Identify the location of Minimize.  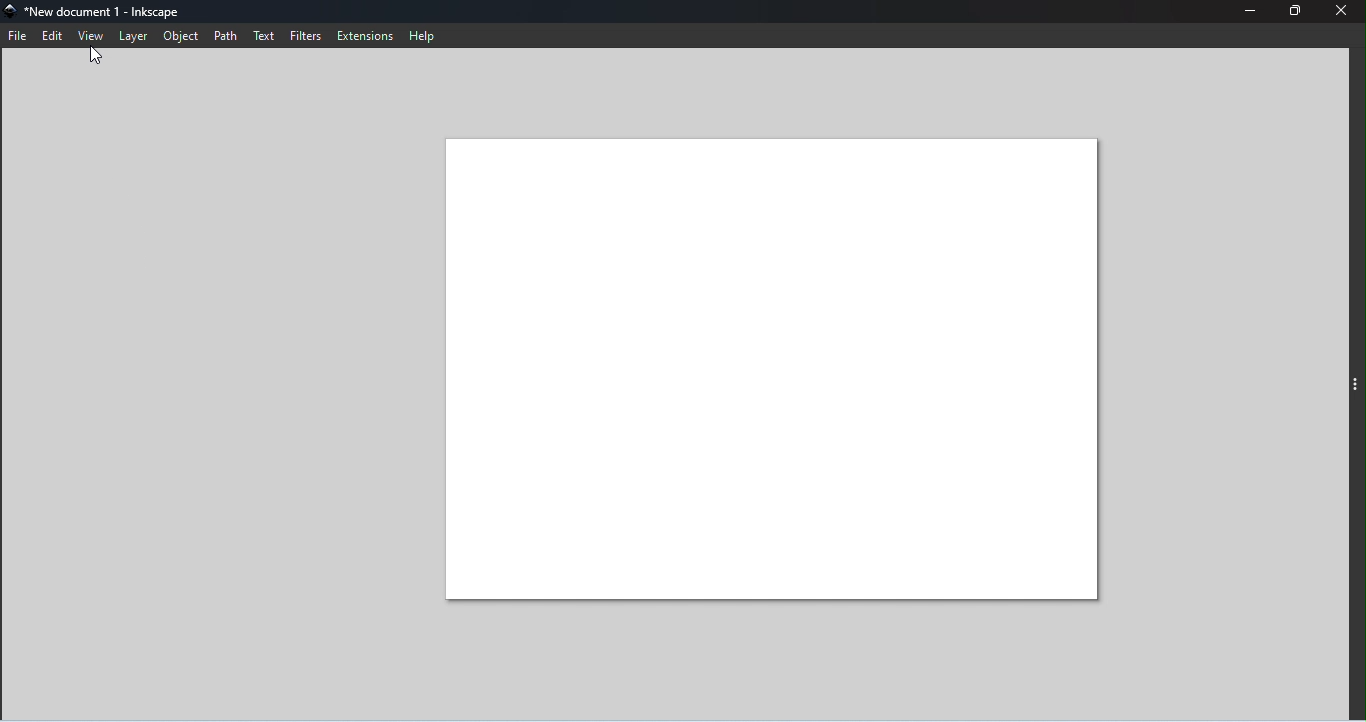
(1242, 11).